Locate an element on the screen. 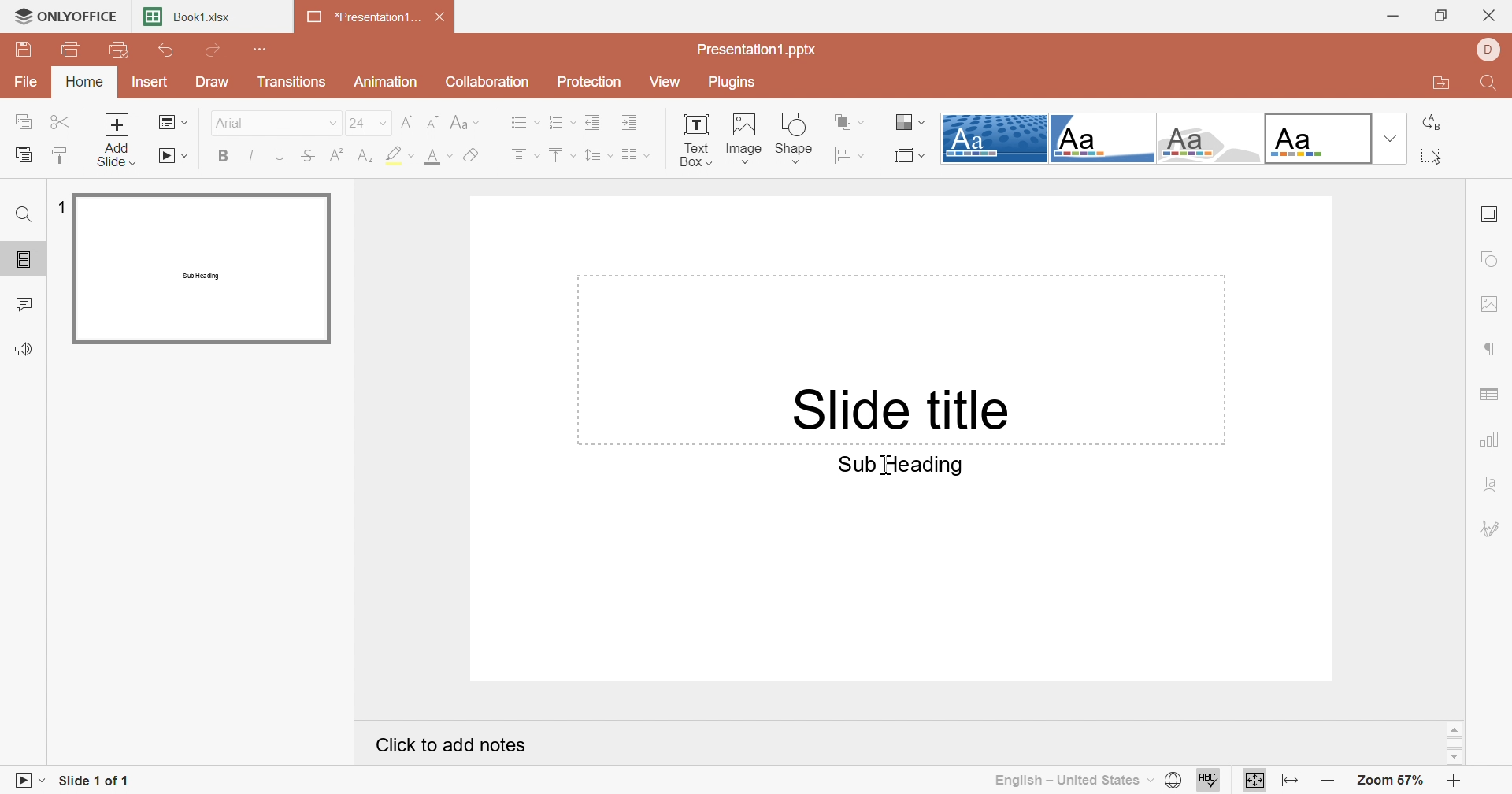 This screenshot has width=1512, height=794. Sub Heading is located at coordinates (891, 465).